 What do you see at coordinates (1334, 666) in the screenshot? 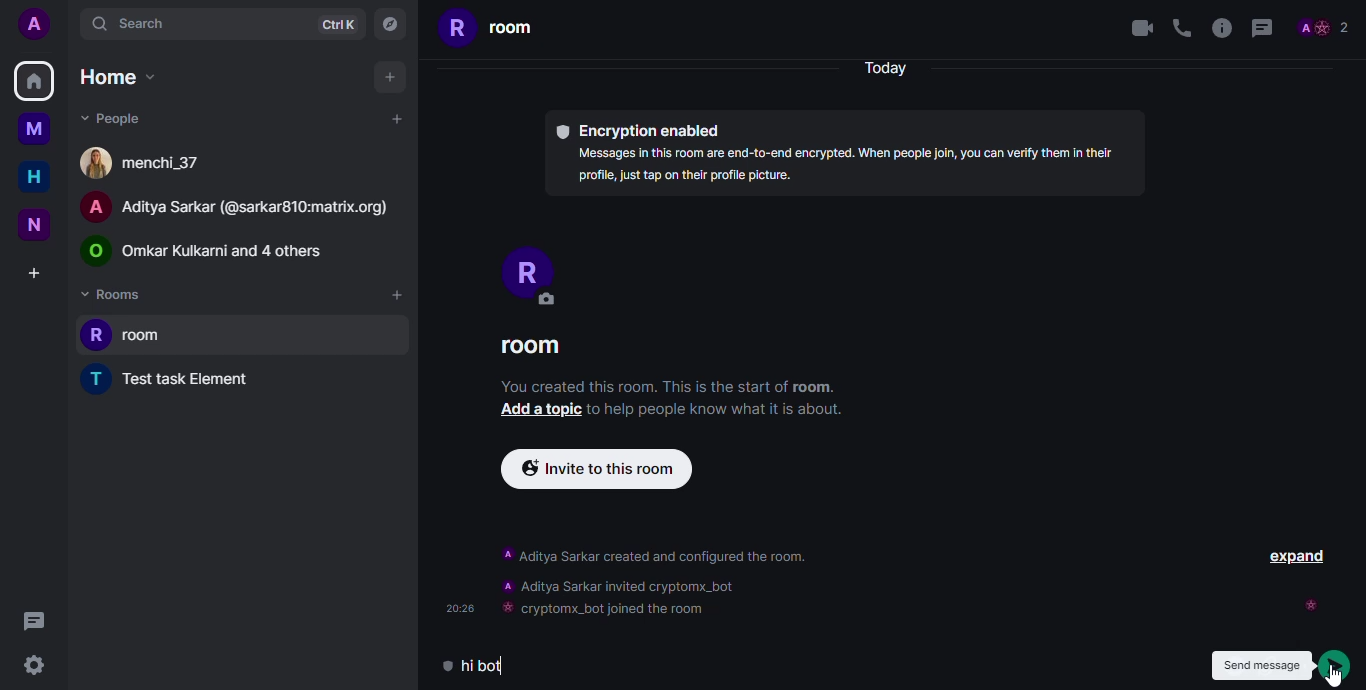
I see `click on send` at bounding box center [1334, 666].